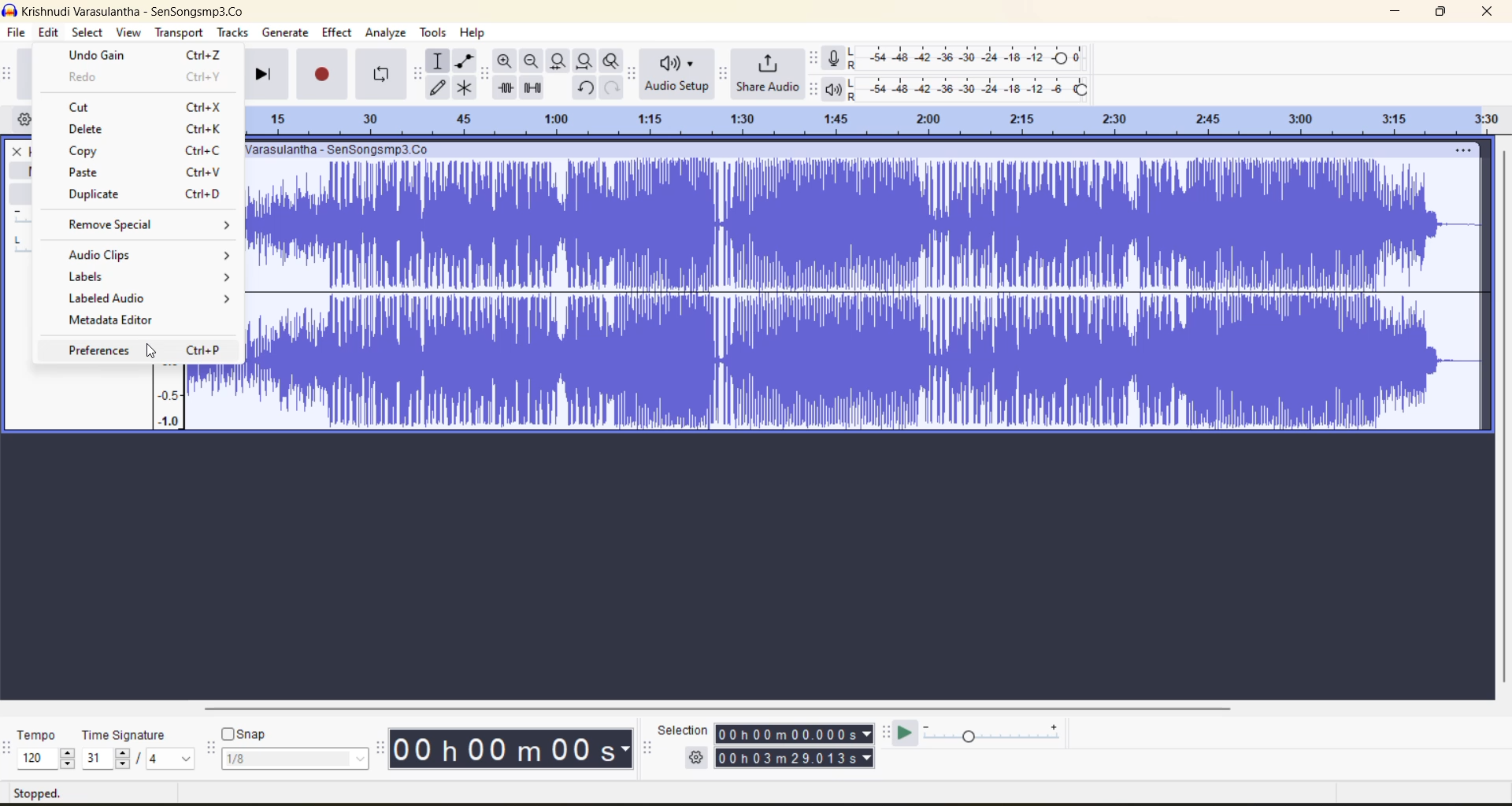 The height and width of the screenshot is (806, 1512). What do you see at coordinates (169, 397) in the screenshot?
I see `Scale to measure audio` at bounding box center [169, 397].